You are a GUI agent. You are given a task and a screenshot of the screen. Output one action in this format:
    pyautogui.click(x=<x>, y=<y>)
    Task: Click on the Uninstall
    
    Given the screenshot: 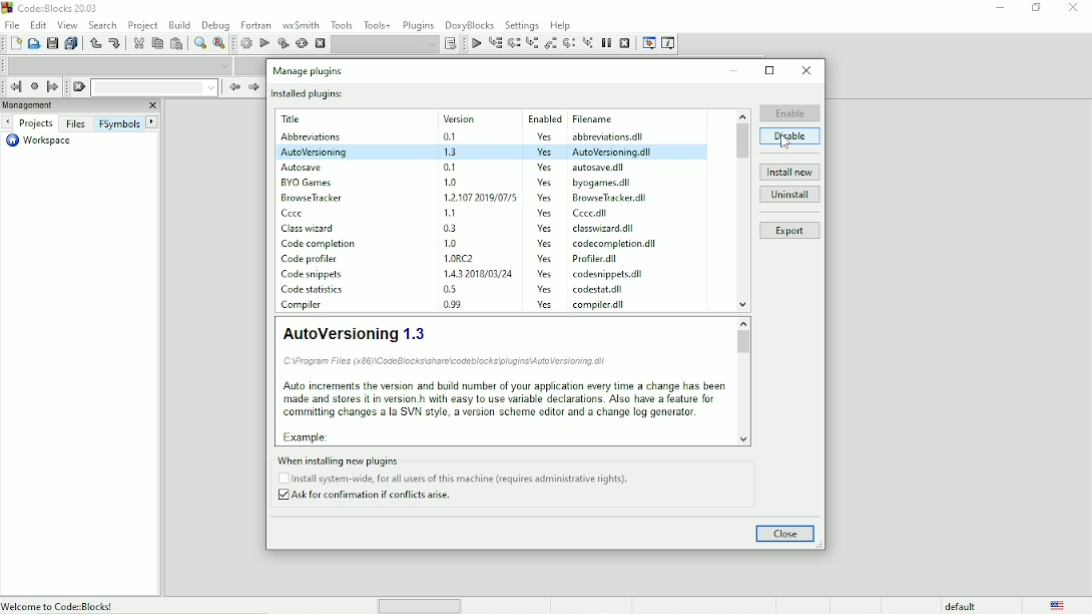 What is the action you would take?
    pyautogui.click(x=791, y=195)
    